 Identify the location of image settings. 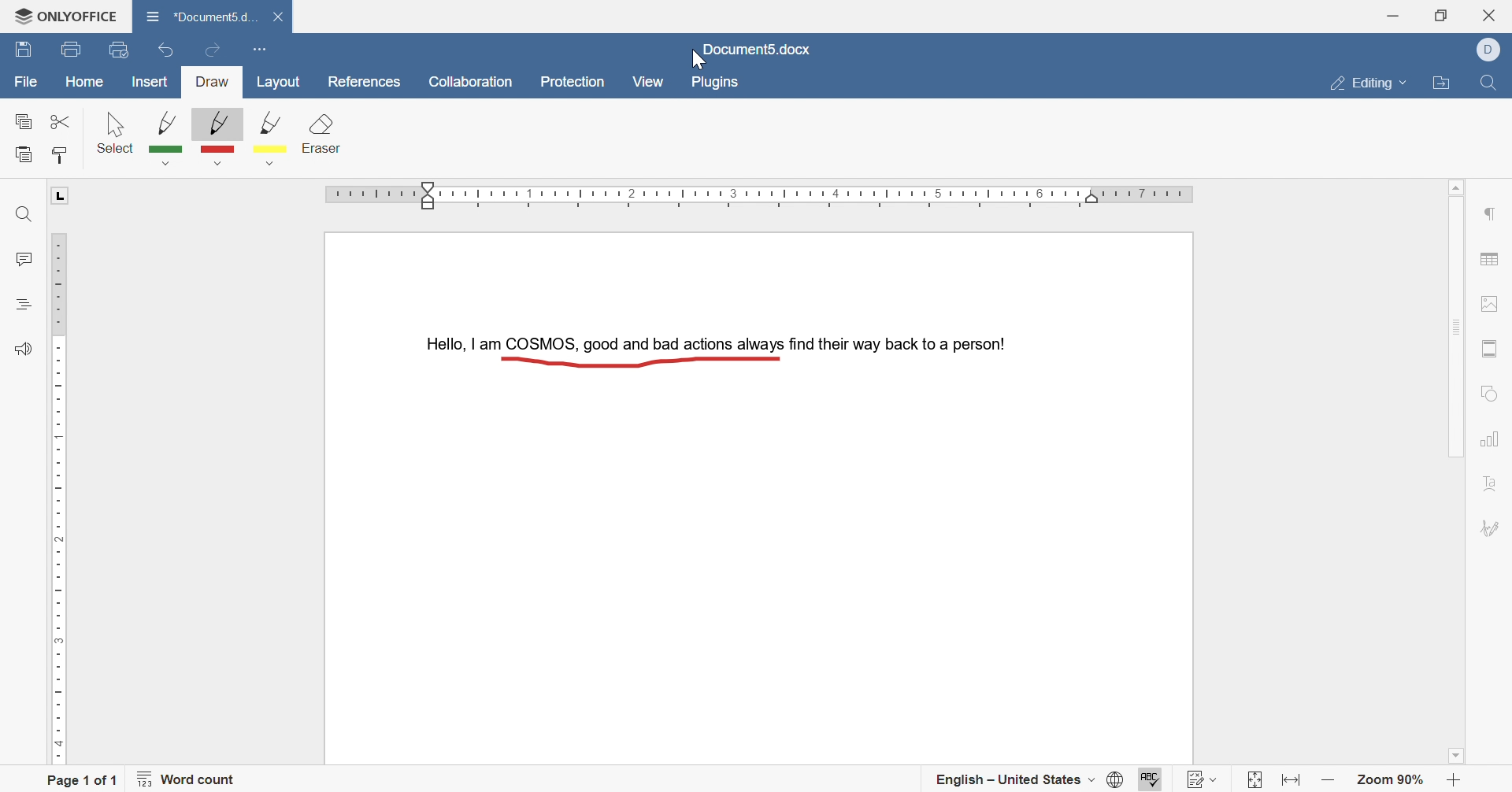
(1497, 302).